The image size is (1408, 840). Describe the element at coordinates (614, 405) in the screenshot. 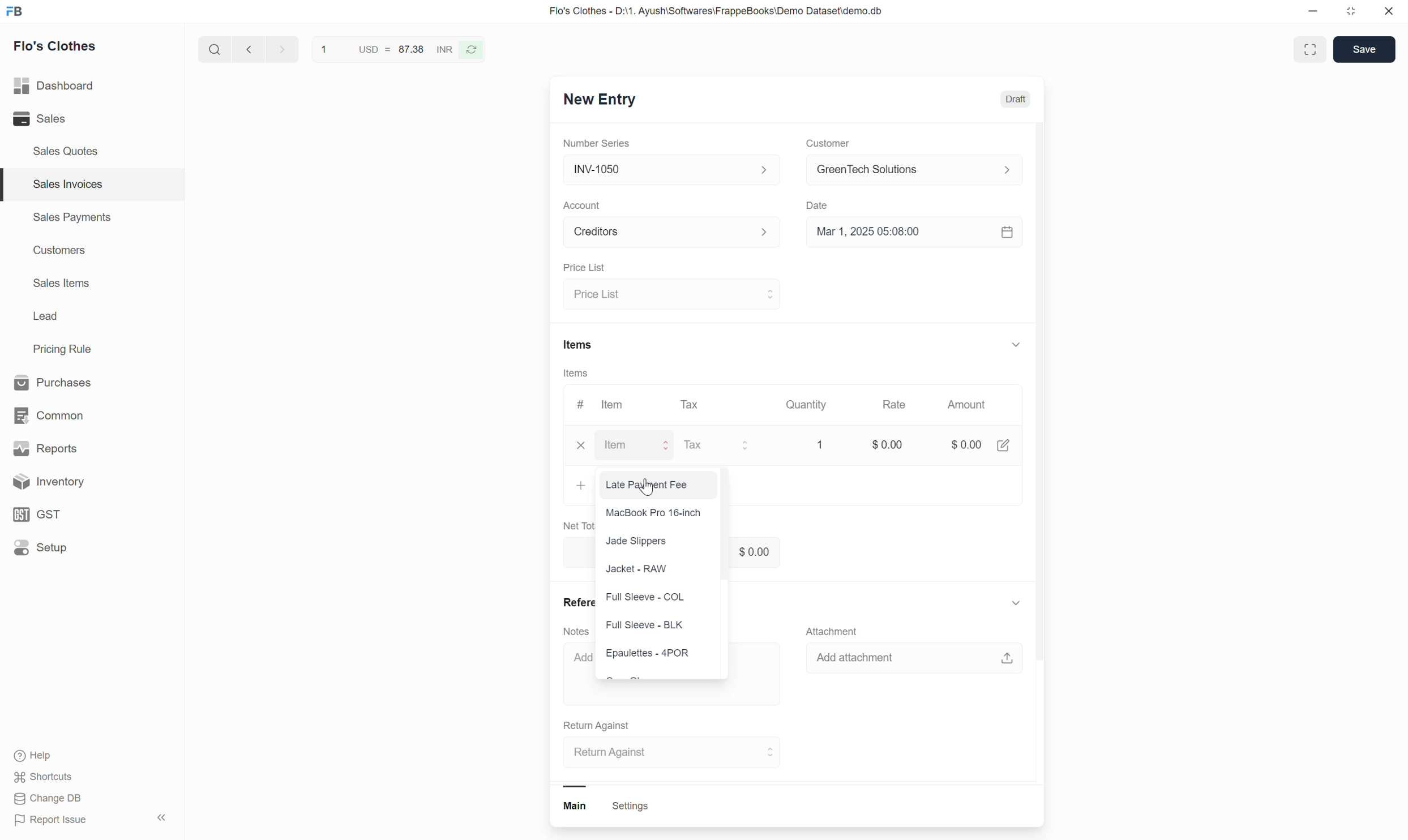

I see `Item` at that location.